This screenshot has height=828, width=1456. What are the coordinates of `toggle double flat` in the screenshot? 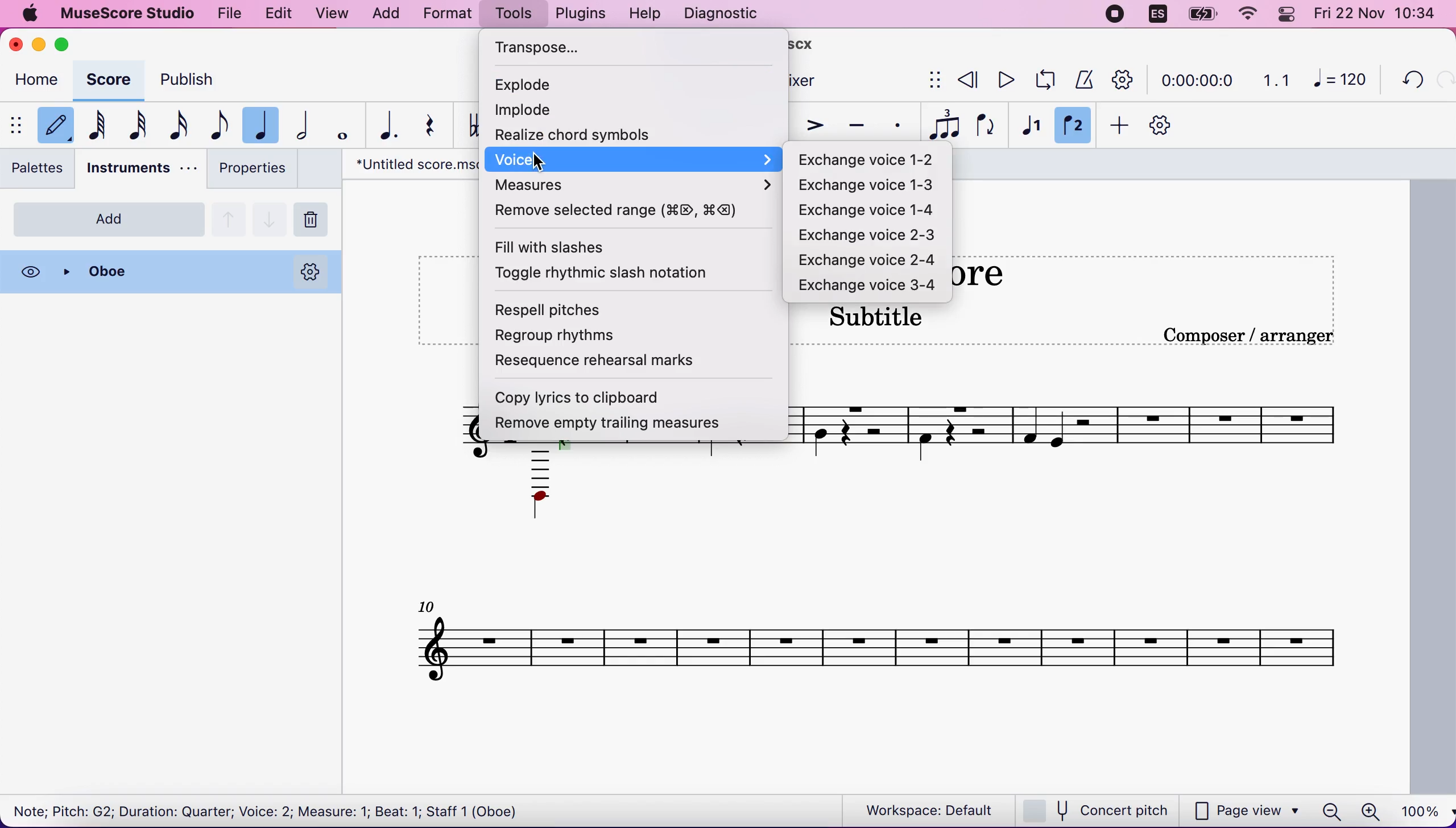 It's located at (468, 125).